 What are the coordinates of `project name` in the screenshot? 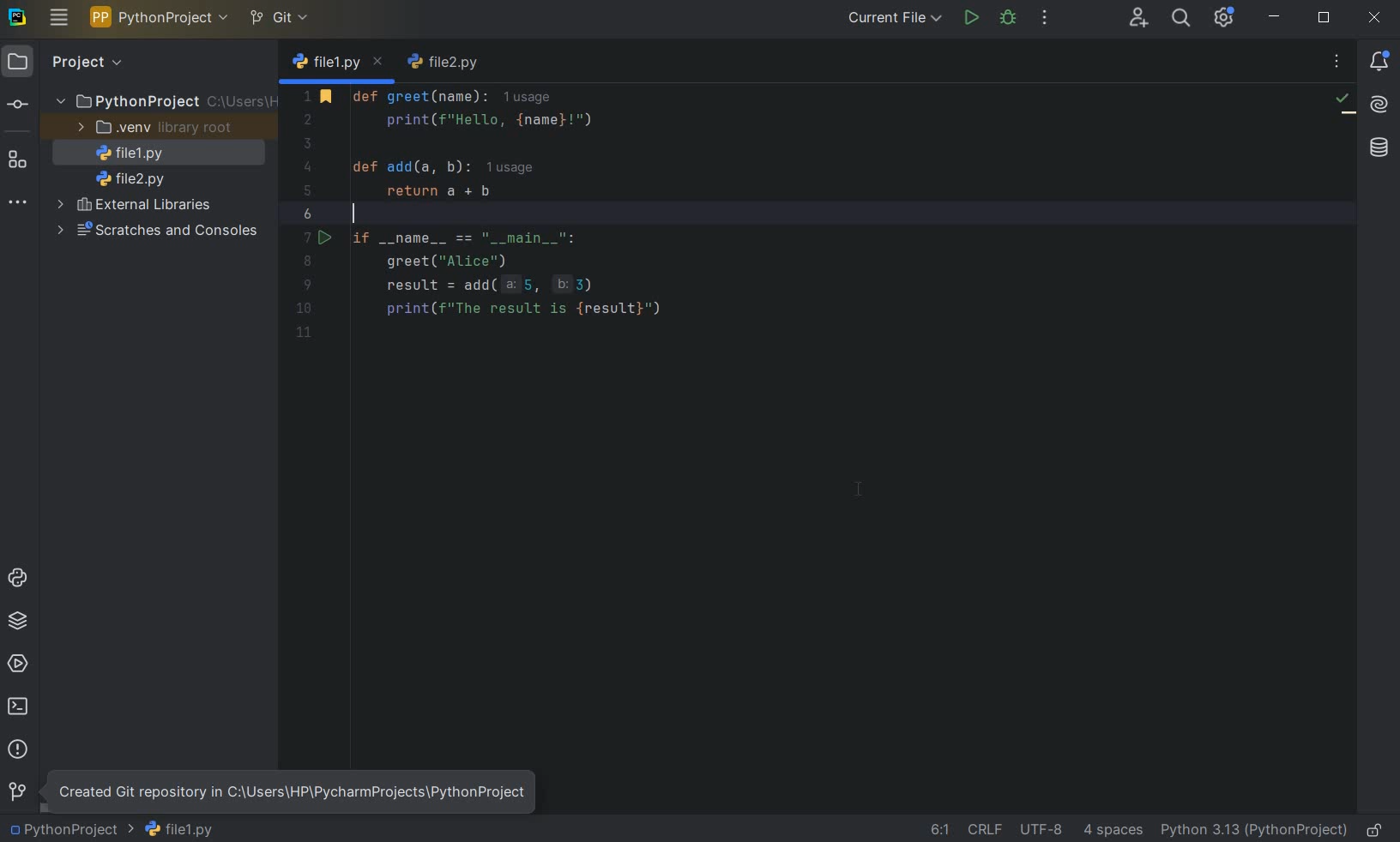 It's located at (158, 18).